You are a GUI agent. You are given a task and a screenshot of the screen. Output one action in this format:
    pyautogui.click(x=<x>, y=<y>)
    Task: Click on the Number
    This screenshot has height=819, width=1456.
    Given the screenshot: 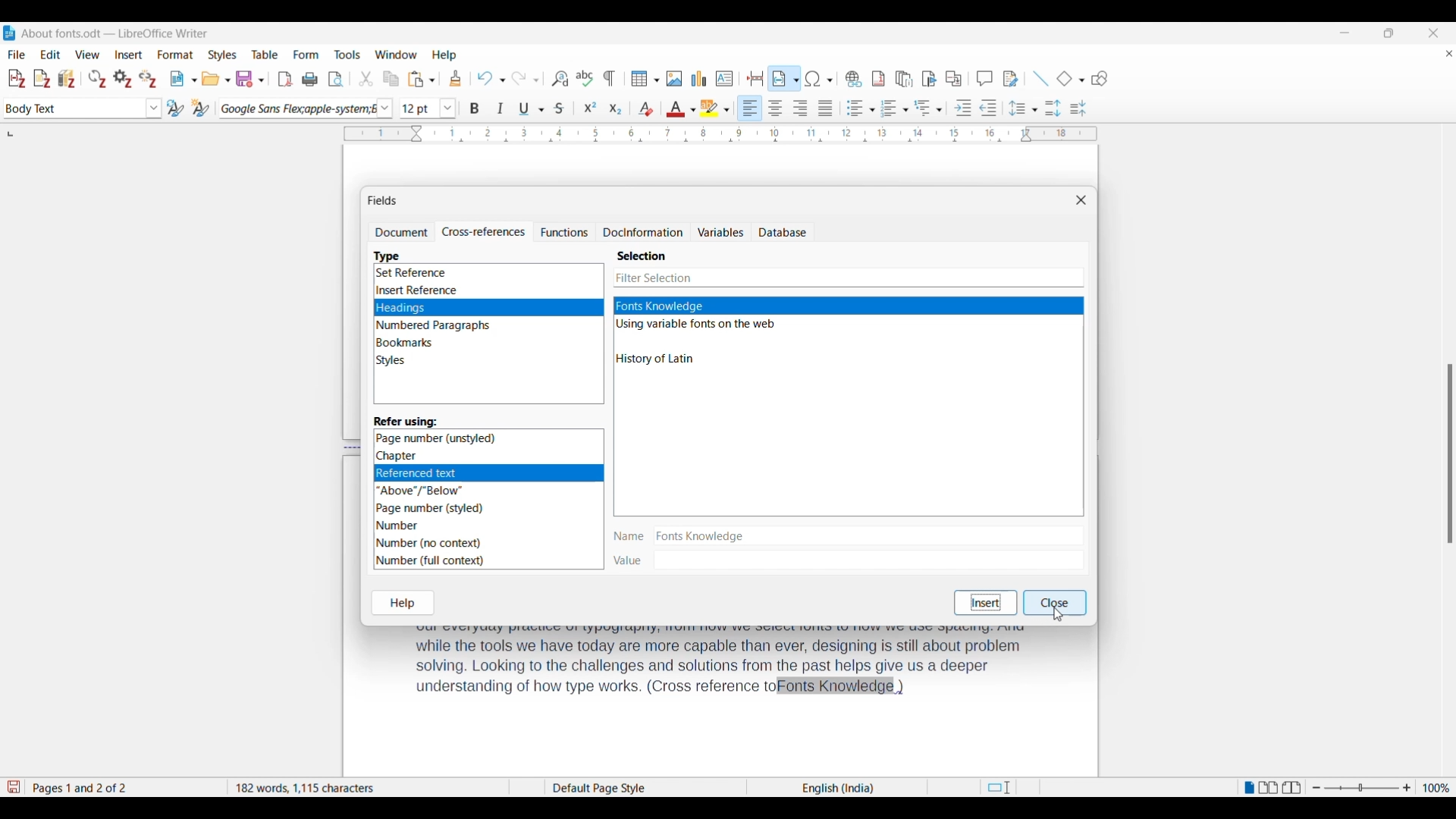 What is the action you would take?
    pyautogui.click(x=402, y=525)
    